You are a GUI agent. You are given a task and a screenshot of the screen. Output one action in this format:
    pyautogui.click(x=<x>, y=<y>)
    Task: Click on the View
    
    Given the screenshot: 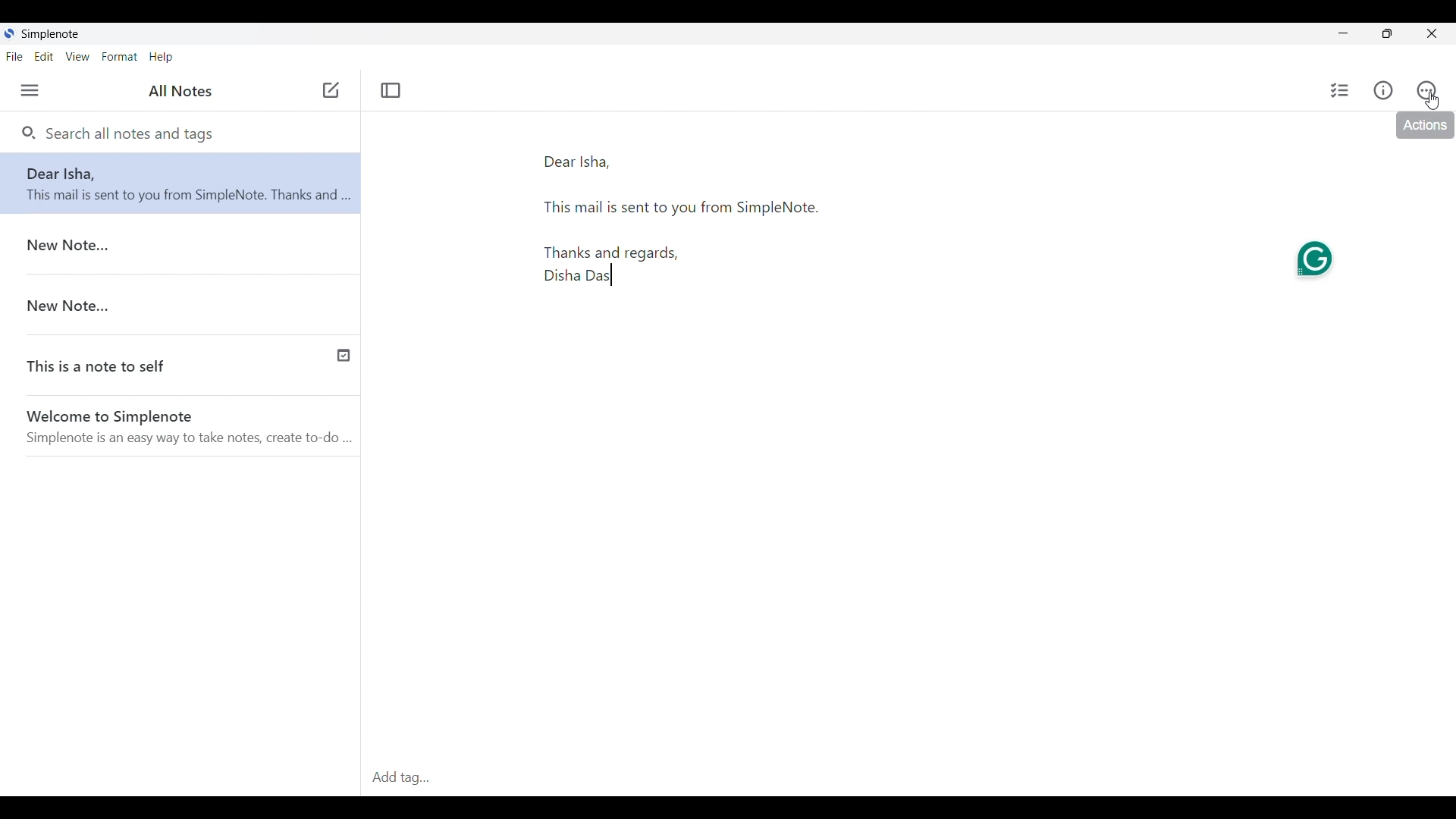 What is the action you would take?
    pyautogui.click(x=78, y=56)
    